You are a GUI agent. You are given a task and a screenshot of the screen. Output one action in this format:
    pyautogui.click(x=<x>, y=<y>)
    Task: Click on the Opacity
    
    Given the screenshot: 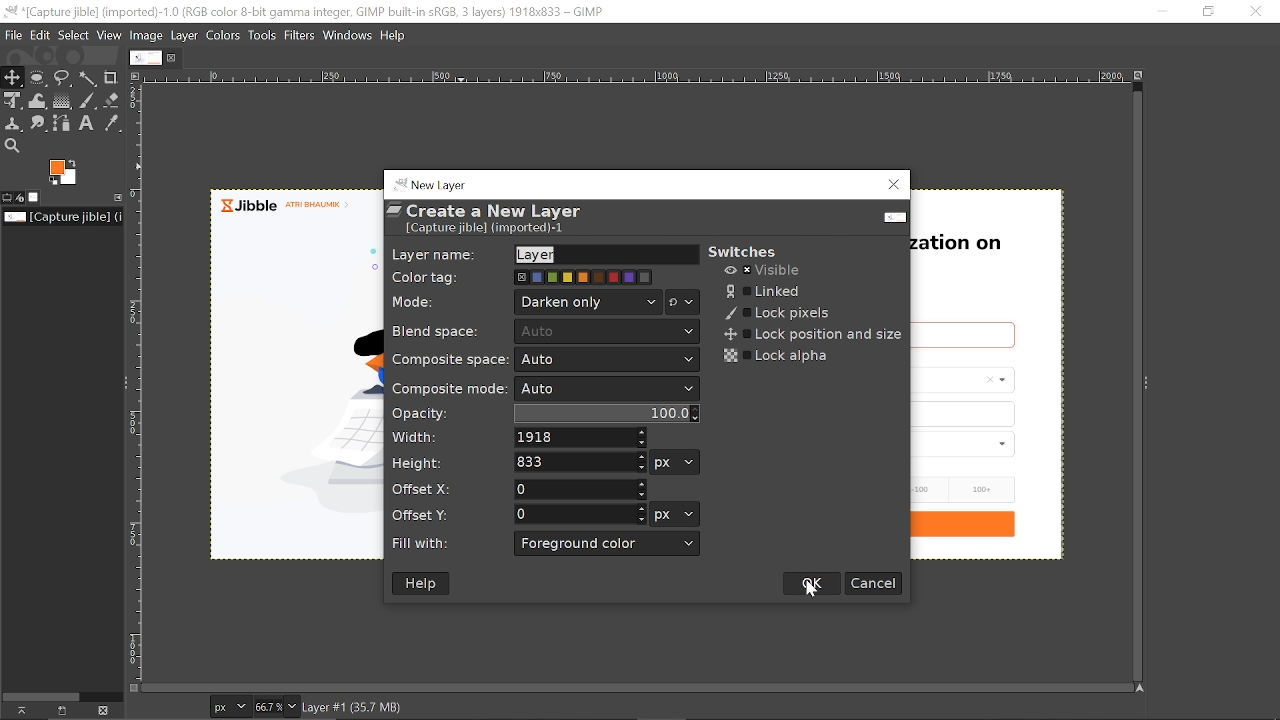 What is the action you would take?
    pyautogui.click(x=608, y=415)
    